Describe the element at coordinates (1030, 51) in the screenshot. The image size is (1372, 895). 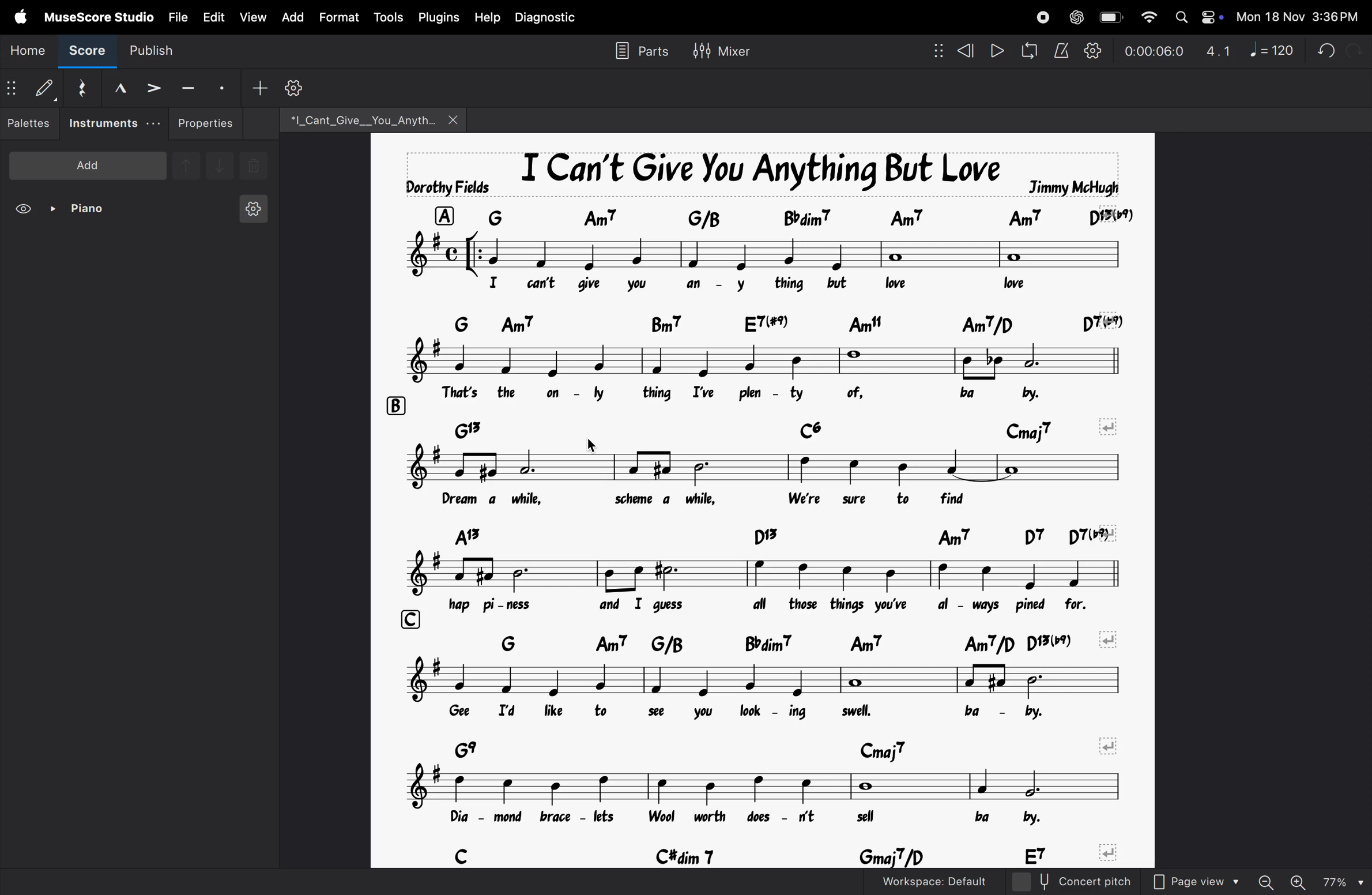
I see `loop playback` at that location.